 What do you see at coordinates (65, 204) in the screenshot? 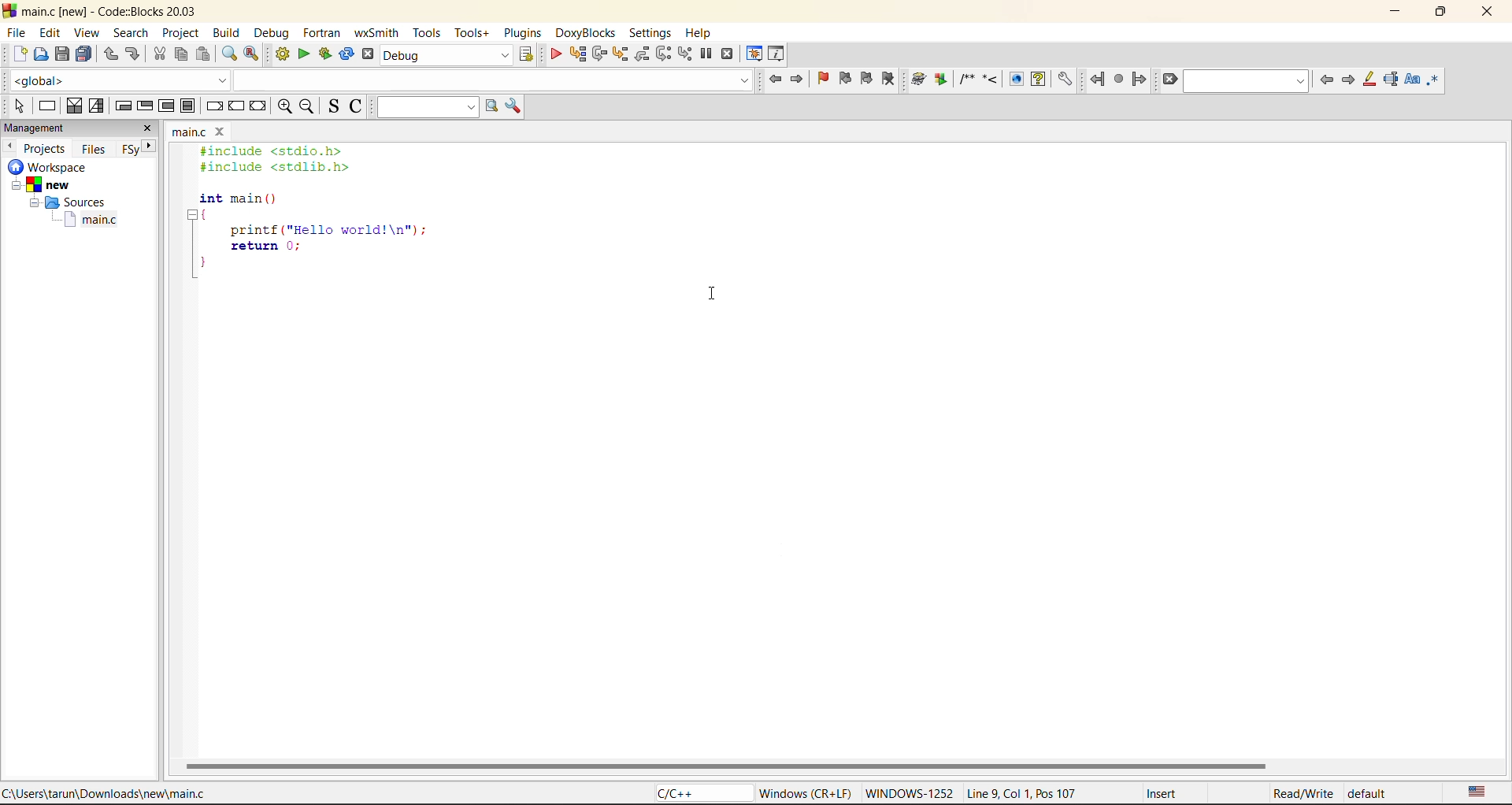
I see `Sources` at bounding box center [65, 204].